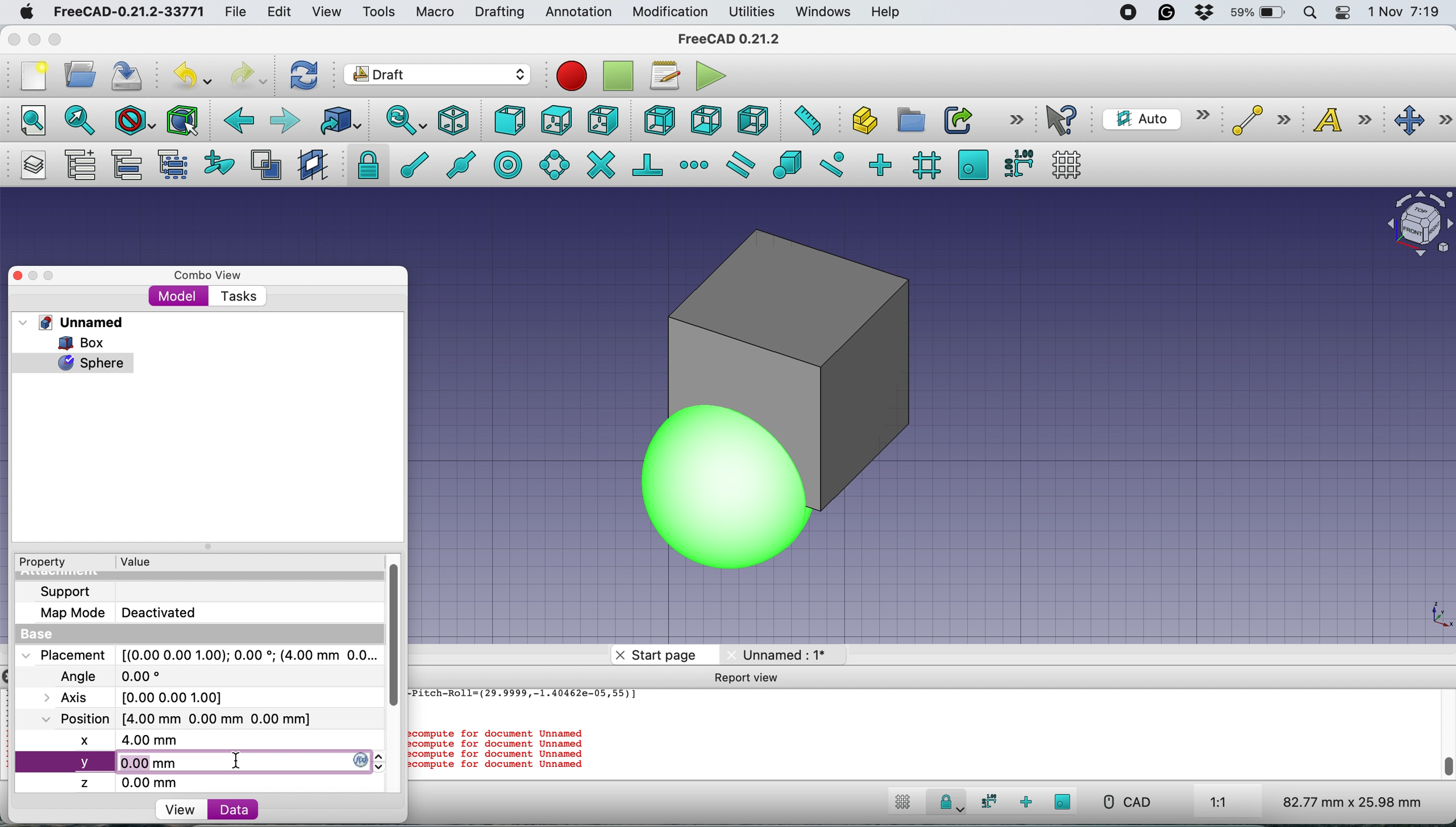 The height and width of the screenshot is (827, 1456). I want to click on file, so click(235, 12).